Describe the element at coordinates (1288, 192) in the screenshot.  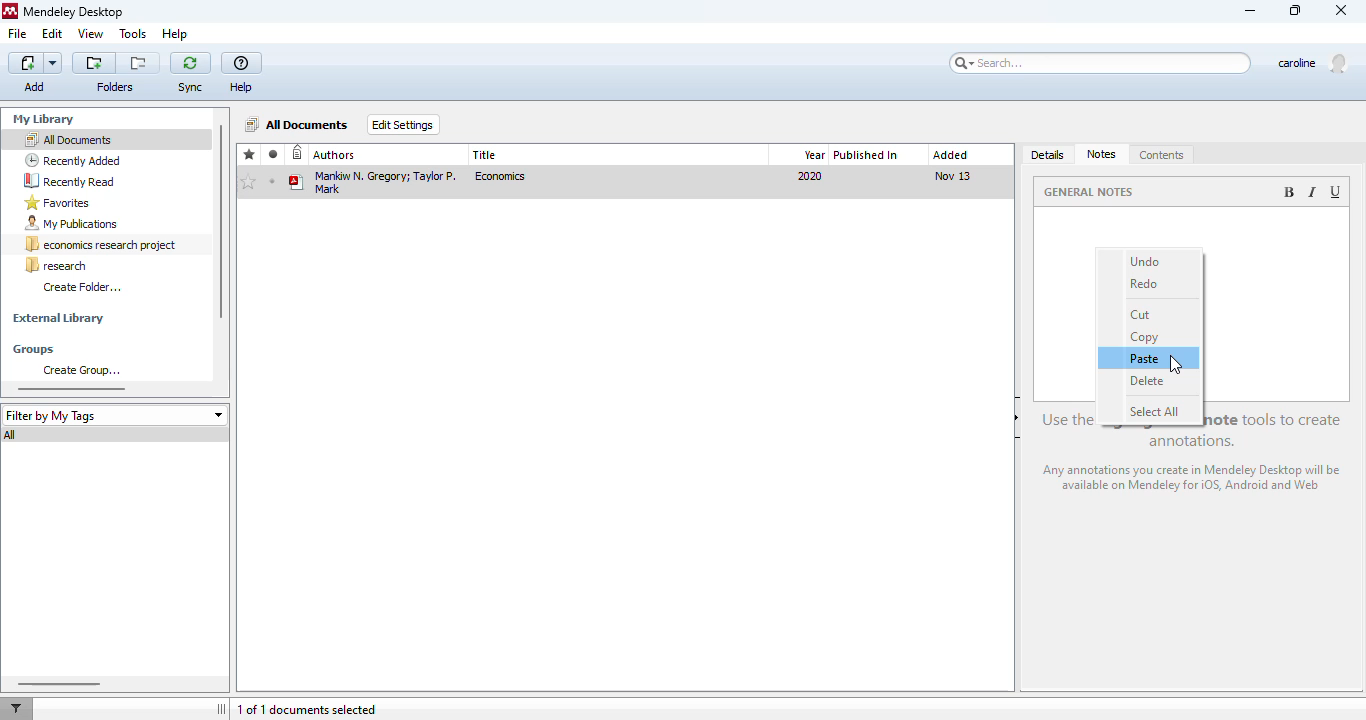
I see `bold` at that location.